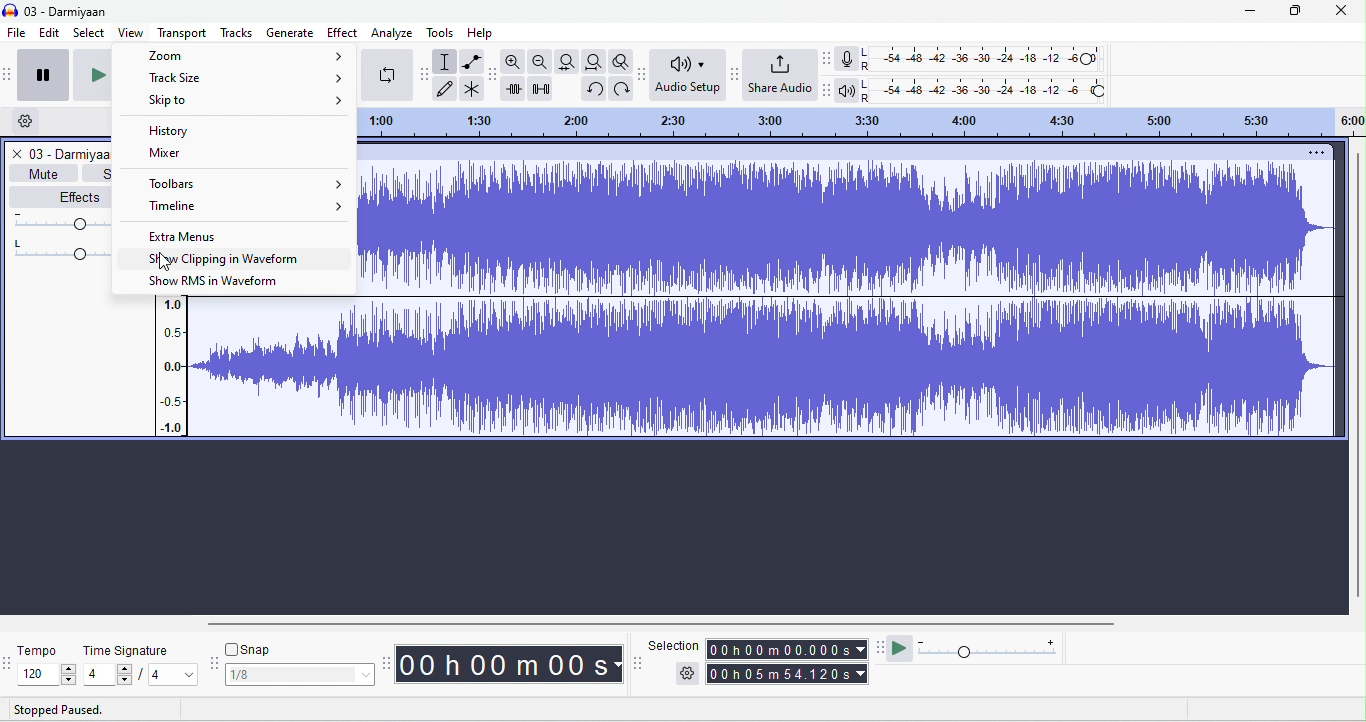 This screenshot has width=1366, height=722. I want to click on loop, so click(390, 75).